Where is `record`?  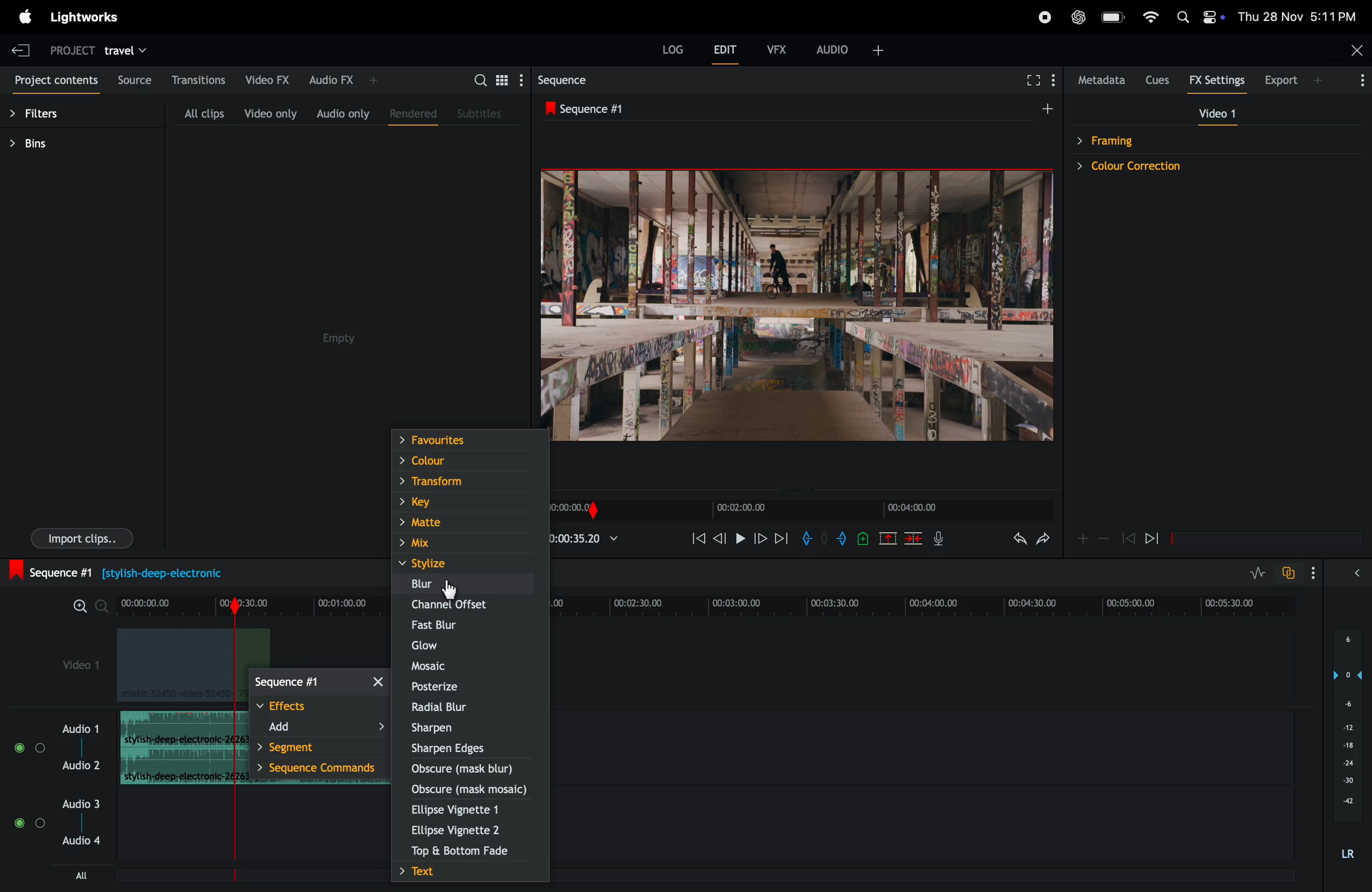 record is located at coordinates (1044, 18).